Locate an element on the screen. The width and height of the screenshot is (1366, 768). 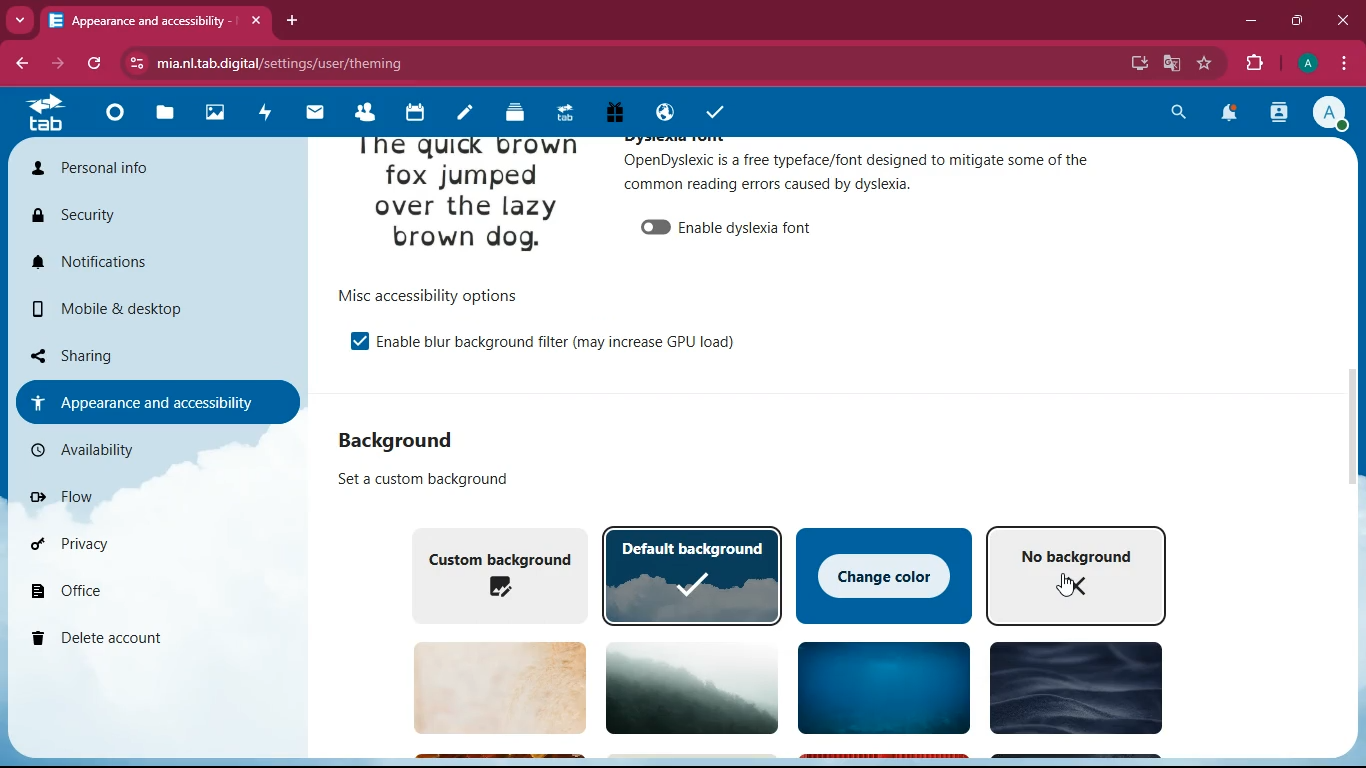
tab is located at coordinates (156, 20).